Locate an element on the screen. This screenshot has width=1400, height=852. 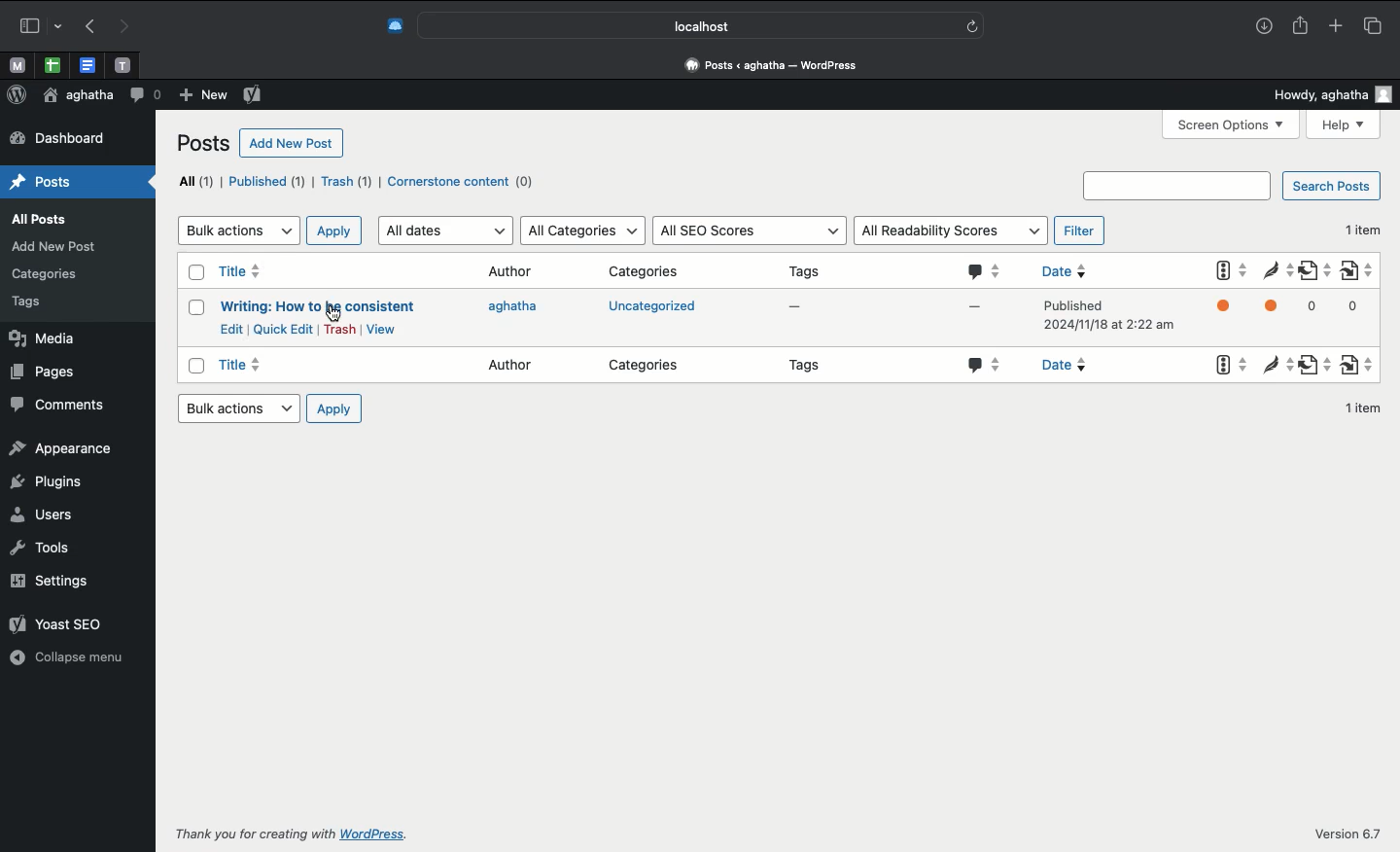
comments is located at coordinates (62, 405).